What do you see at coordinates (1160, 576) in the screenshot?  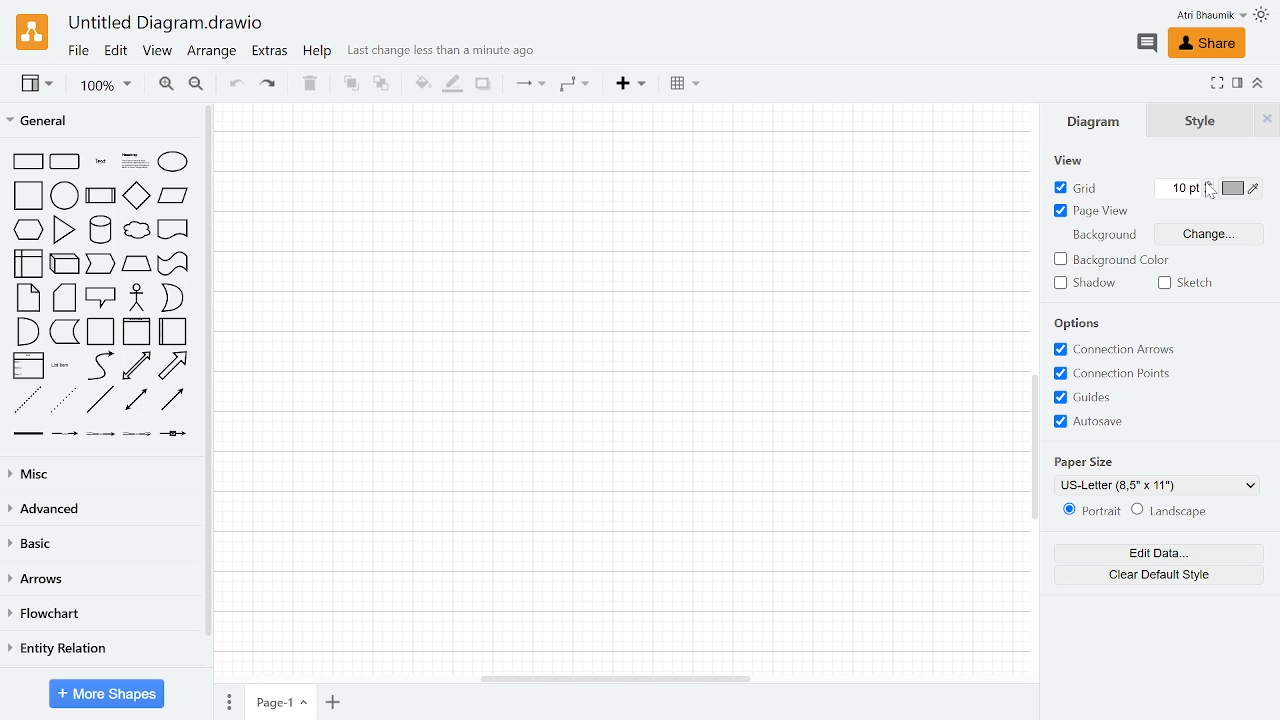 I see `Clear default style` at bounding box center [1160, 576].